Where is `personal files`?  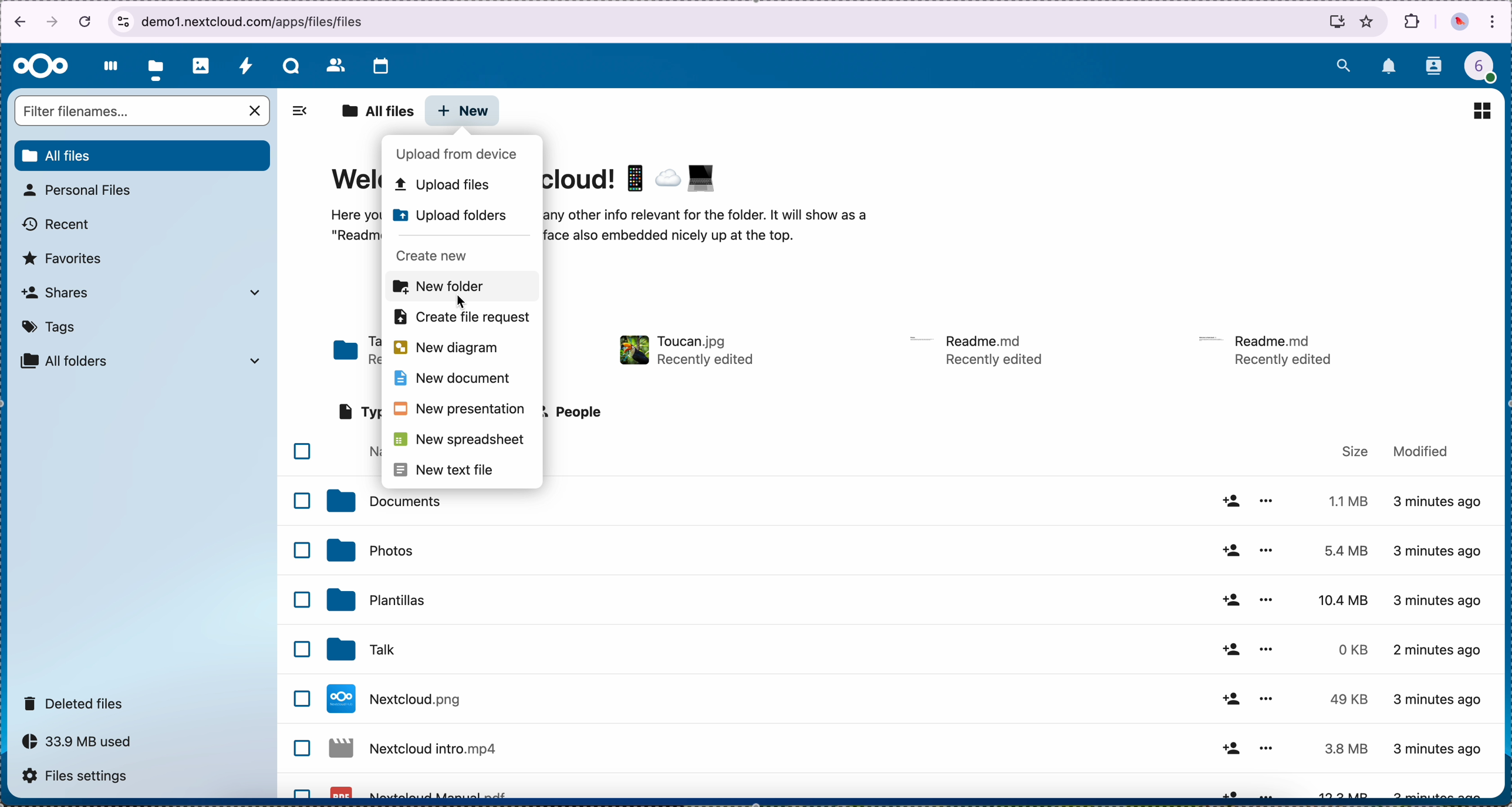 personal files is located at coordinates (81, 190).